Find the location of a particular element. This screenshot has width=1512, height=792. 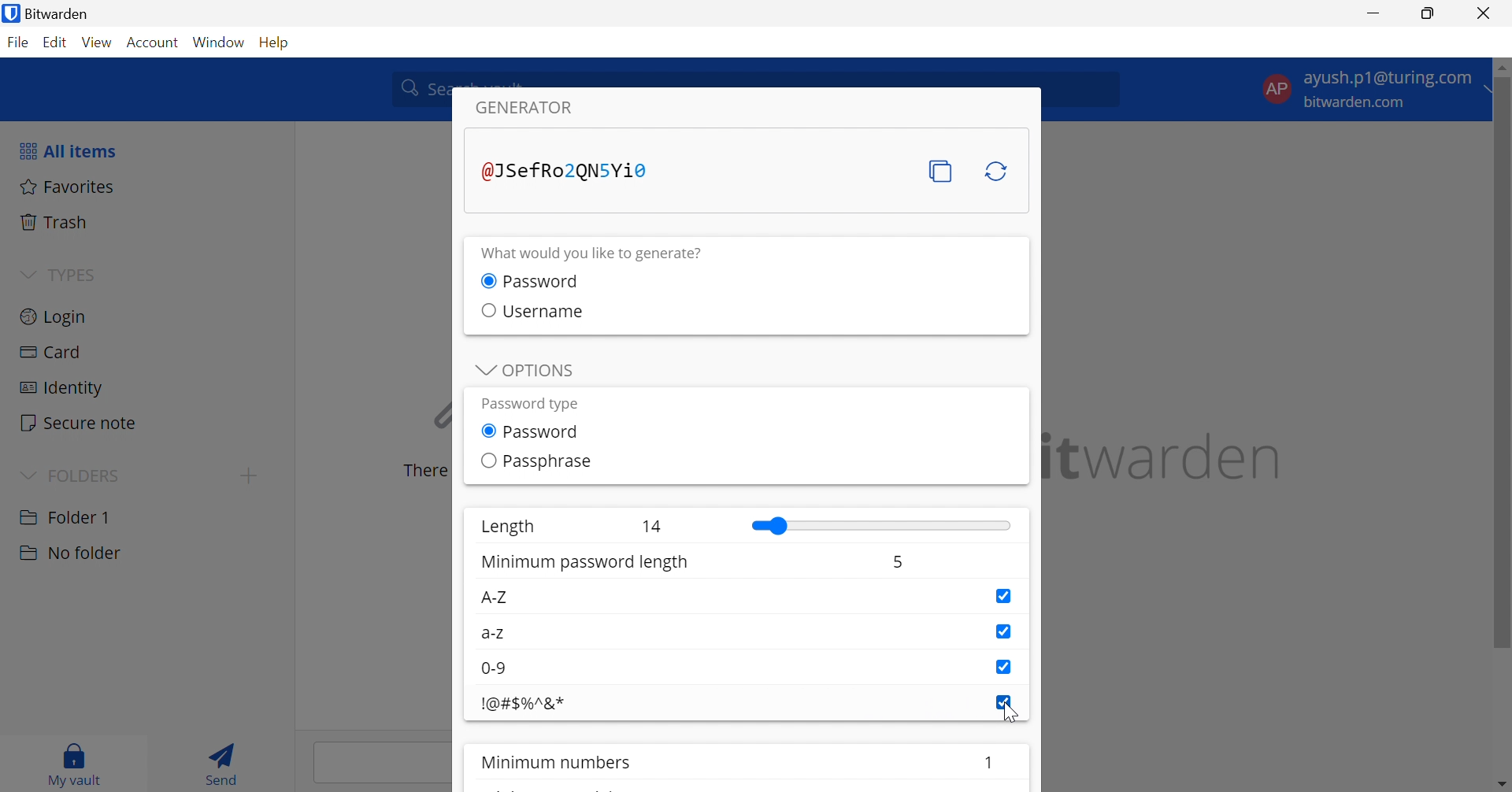

Window is located at coordinates (219, 43).